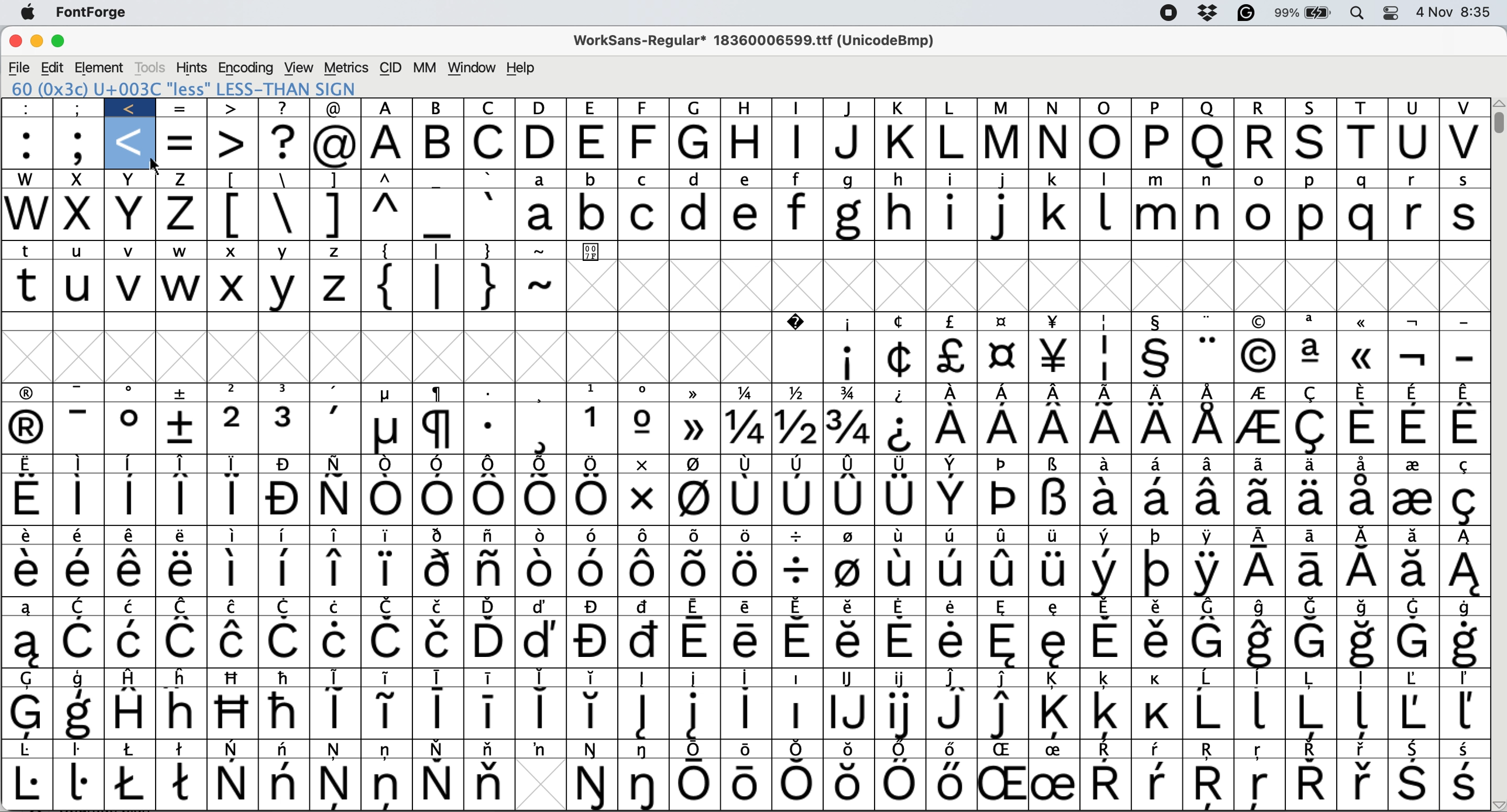 Image resolution: width=1507 pixels, height=812 pixels. What do you see at coordinates (1465, 784) in the screenshot?
I see `Symbol` at bounding box center [1465, 784].